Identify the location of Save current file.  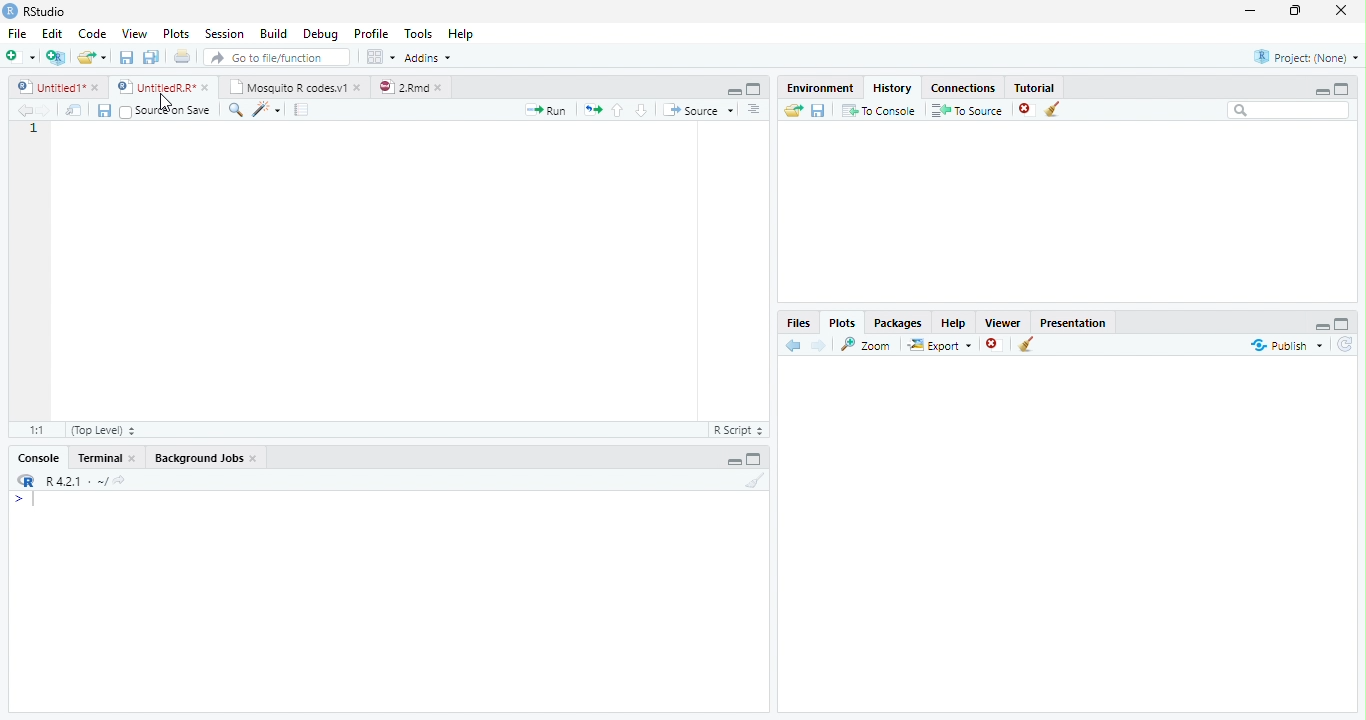
(126, 57).